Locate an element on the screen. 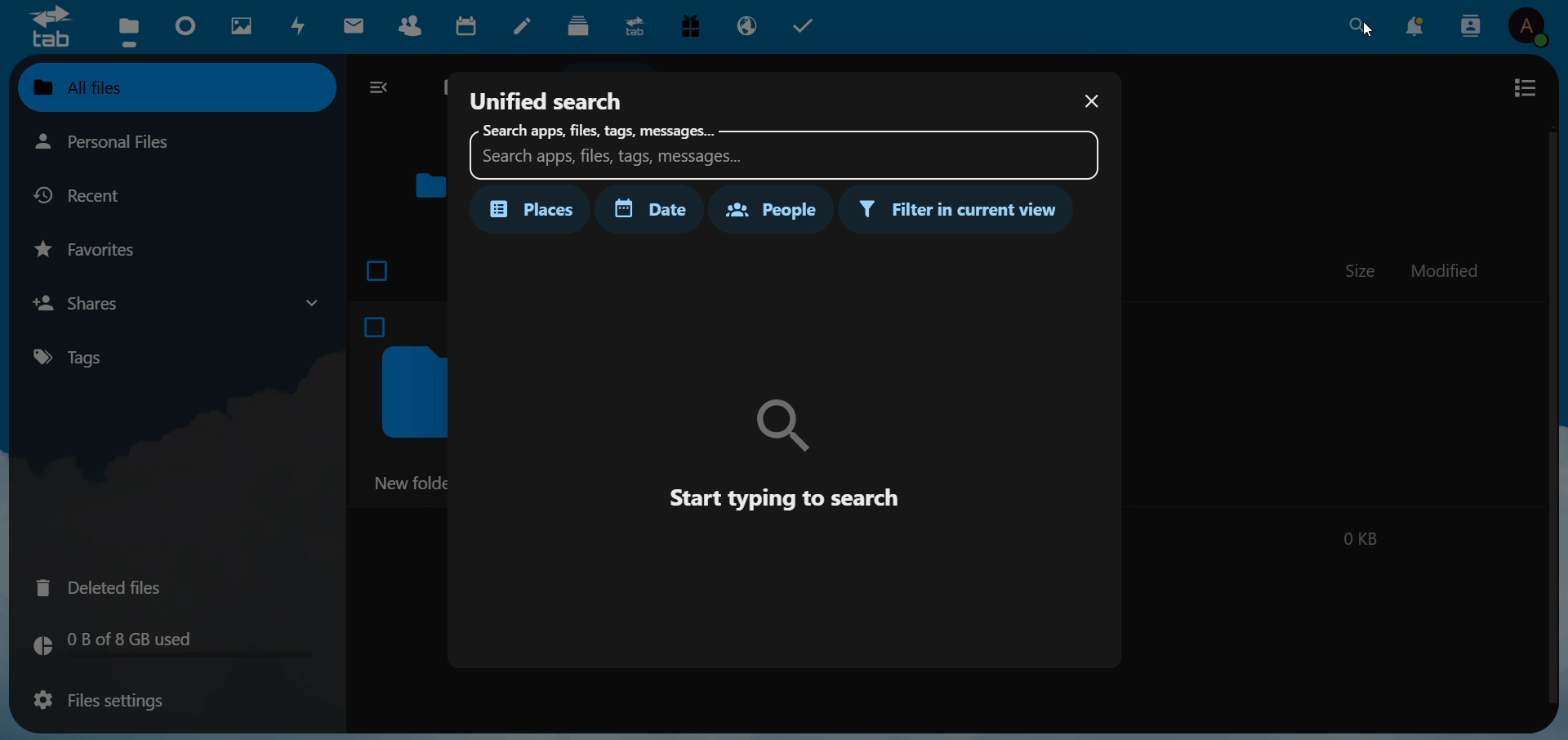 The width and height of the screenshot is (1568, 740). images is located at coordinates (240, 26).